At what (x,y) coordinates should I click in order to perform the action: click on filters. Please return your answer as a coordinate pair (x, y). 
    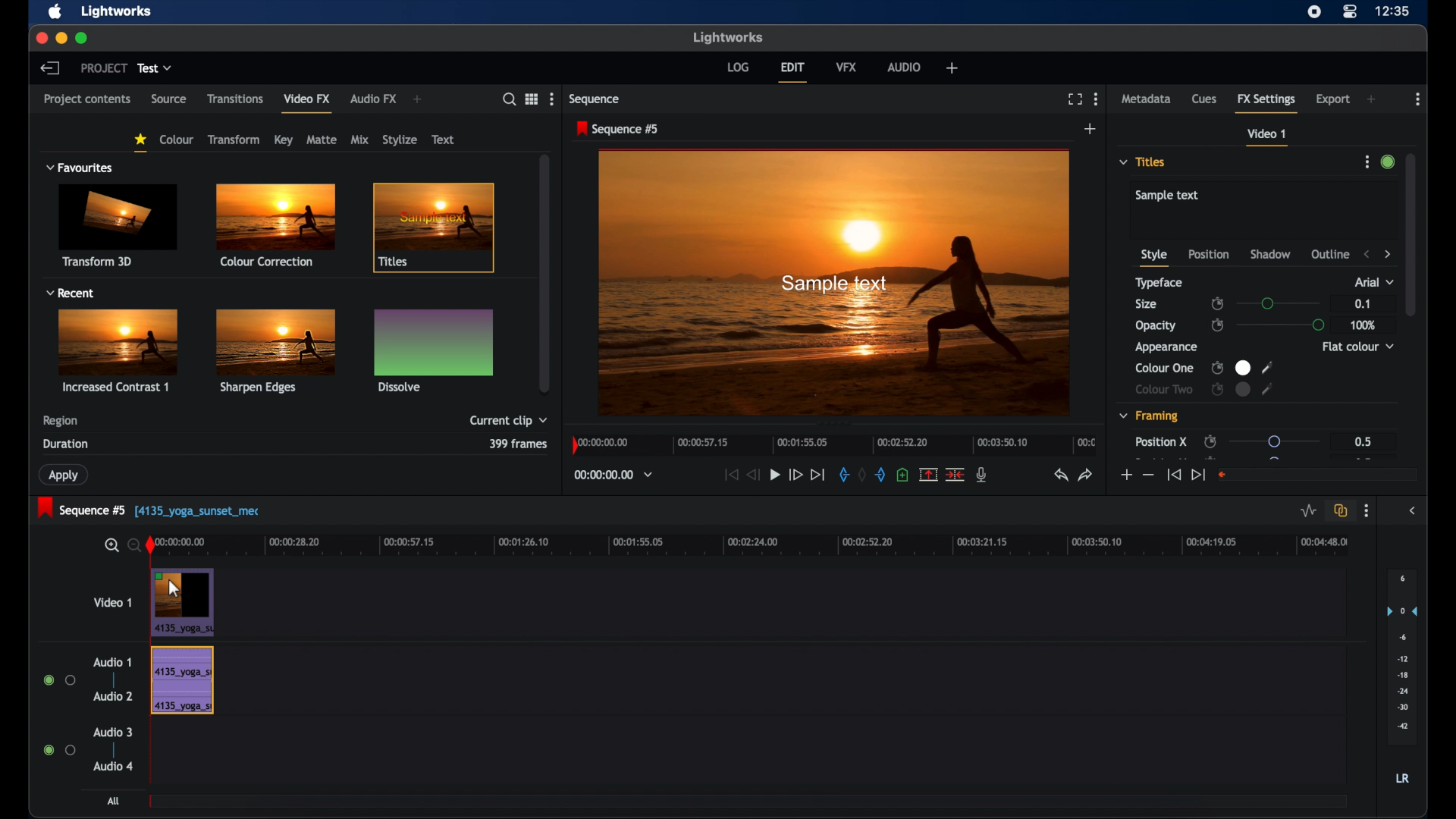
    Looking at the image, I should click on (63, 133).